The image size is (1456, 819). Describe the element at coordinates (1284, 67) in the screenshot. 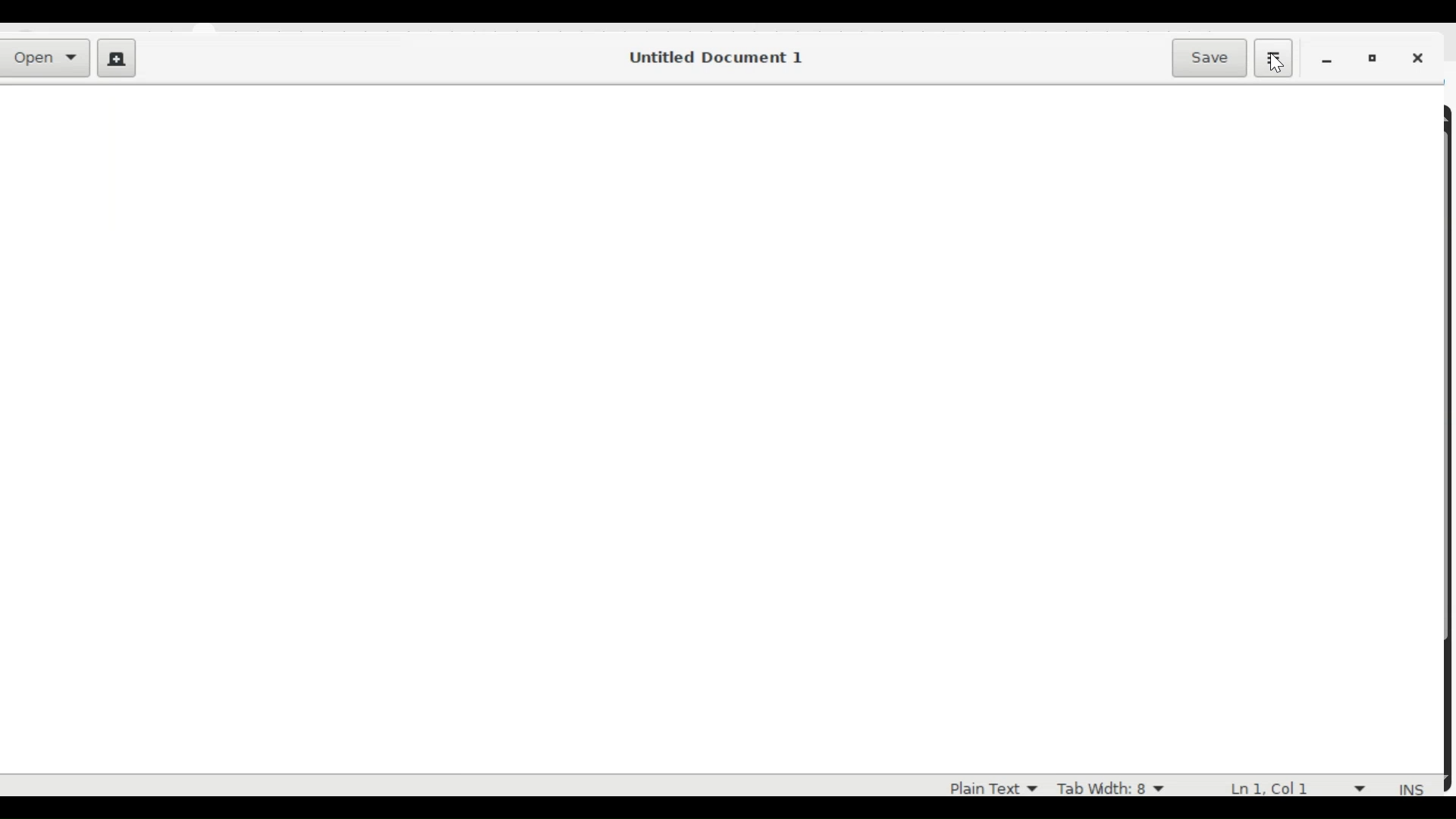

I see `cursor` at that location.